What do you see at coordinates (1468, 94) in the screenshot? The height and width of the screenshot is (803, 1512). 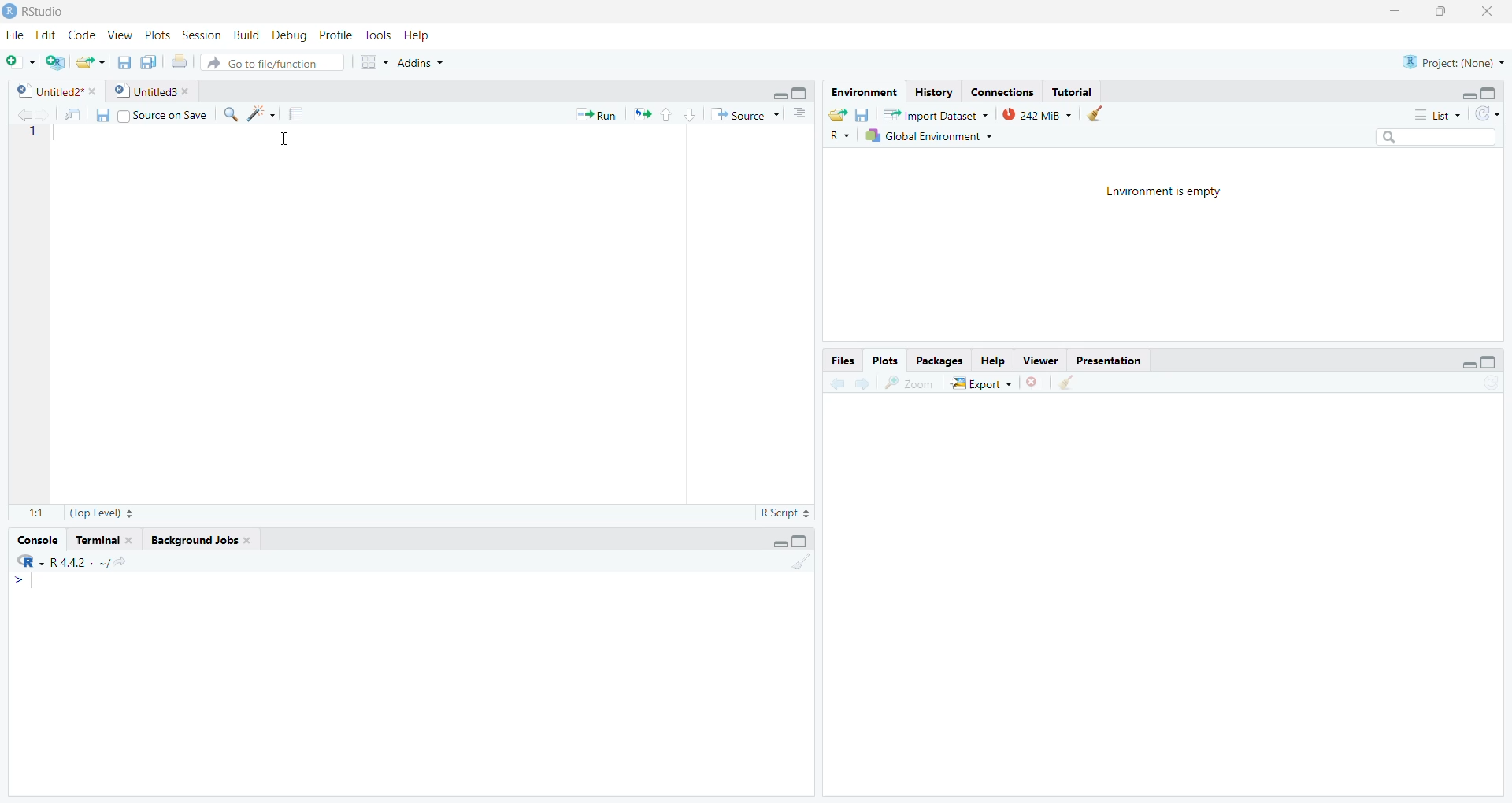 I see `minimize` at bounding box center [1468, 94].